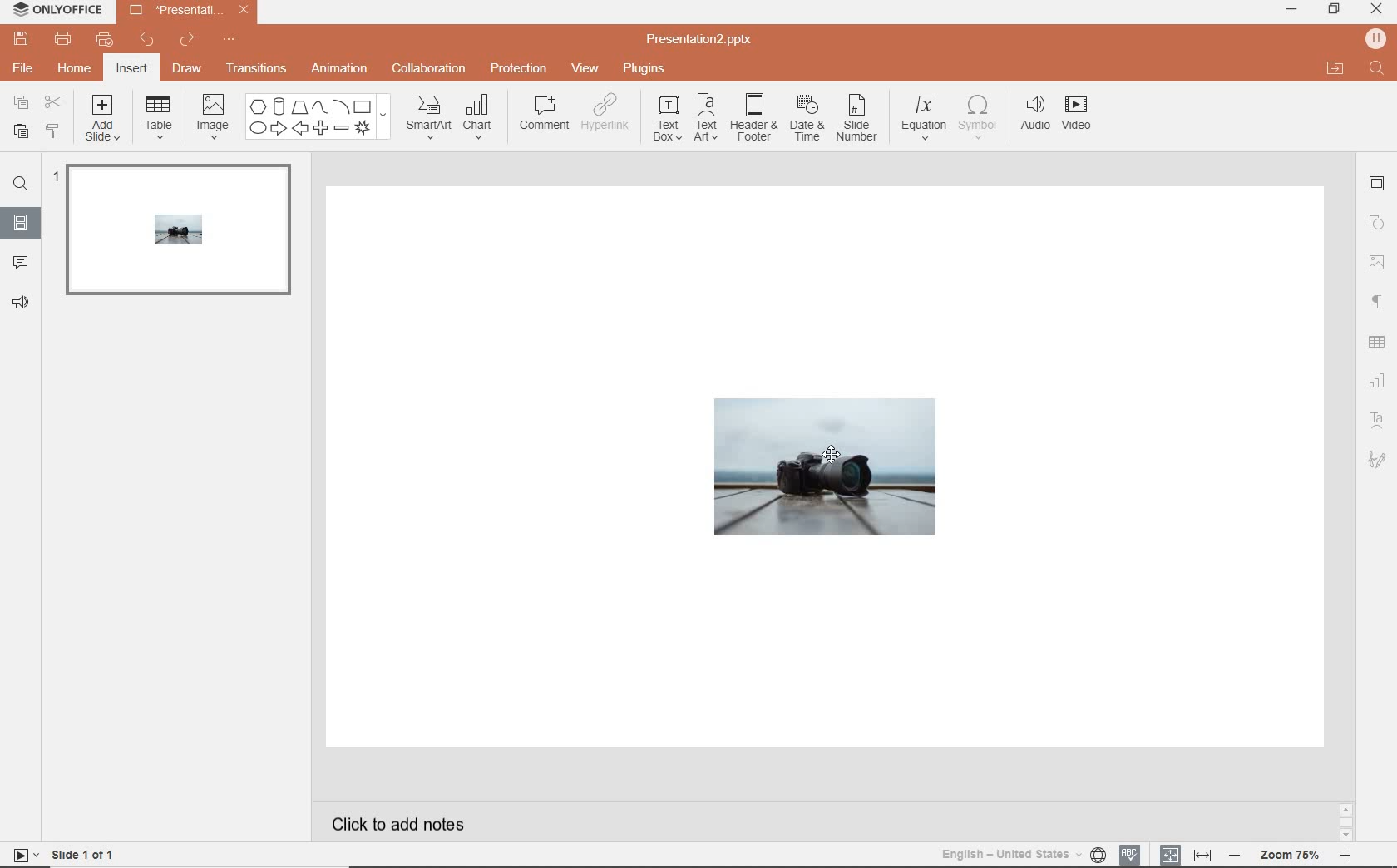  Describe the element at coordinates (1168, 855) in the screenshot. I see `fit to slide` at that location.